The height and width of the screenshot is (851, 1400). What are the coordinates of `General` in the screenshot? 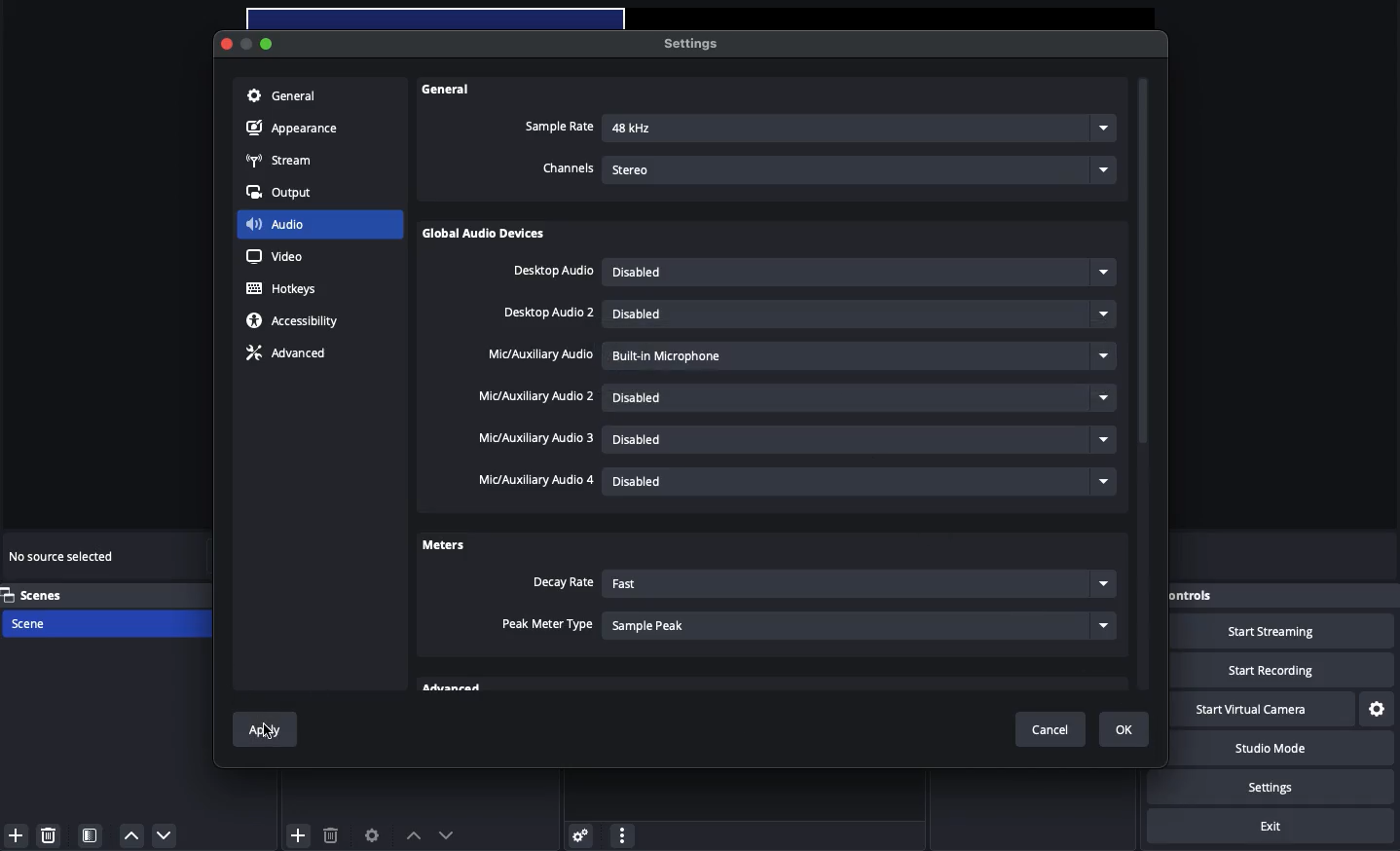 It's located at (281, 97).